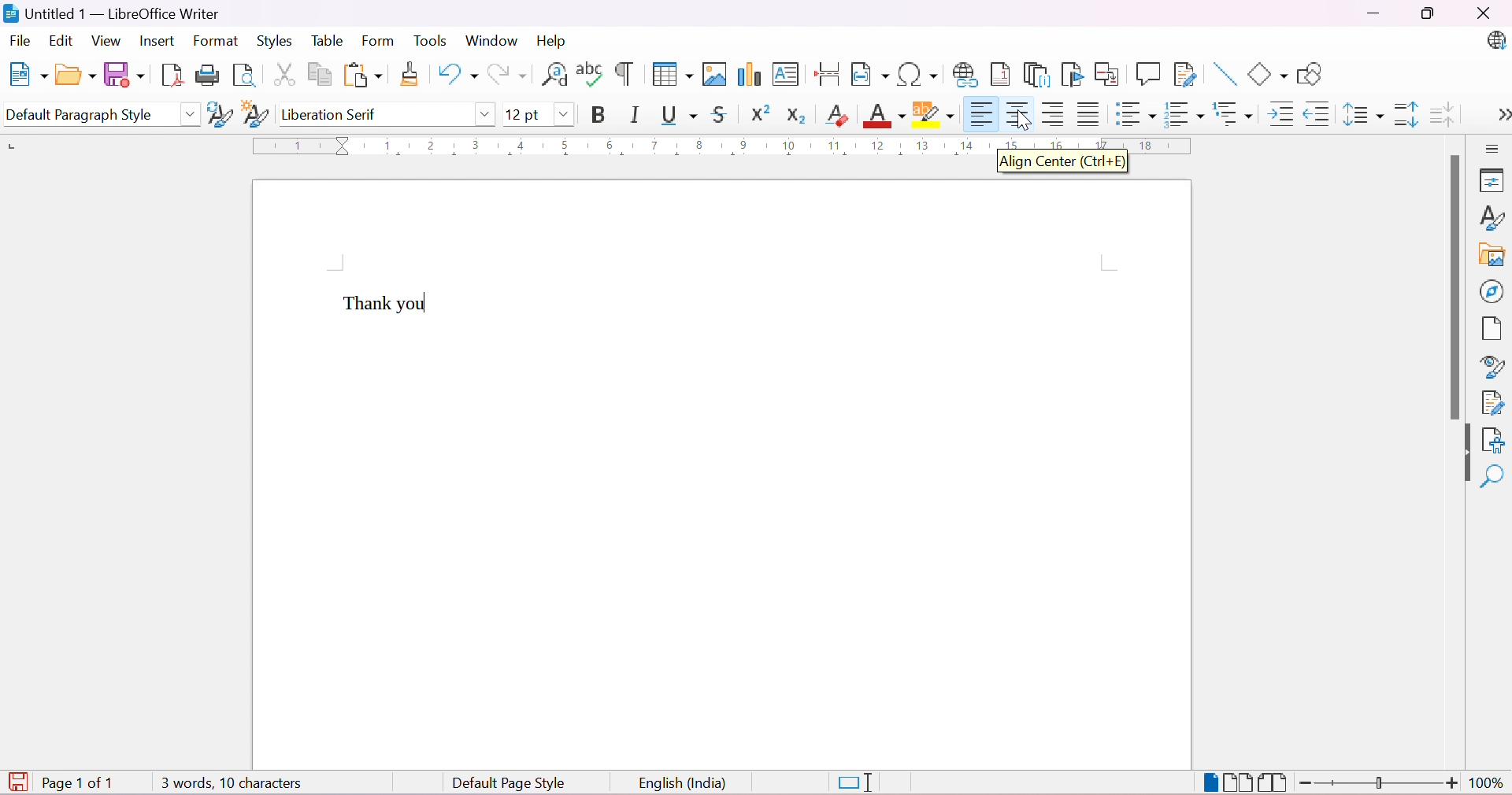 The width and height of the screenshot is (1512, 795). Describe the element at coordinates (1494, 441) in the screenshot. I see `Accessibility Check` at that location.